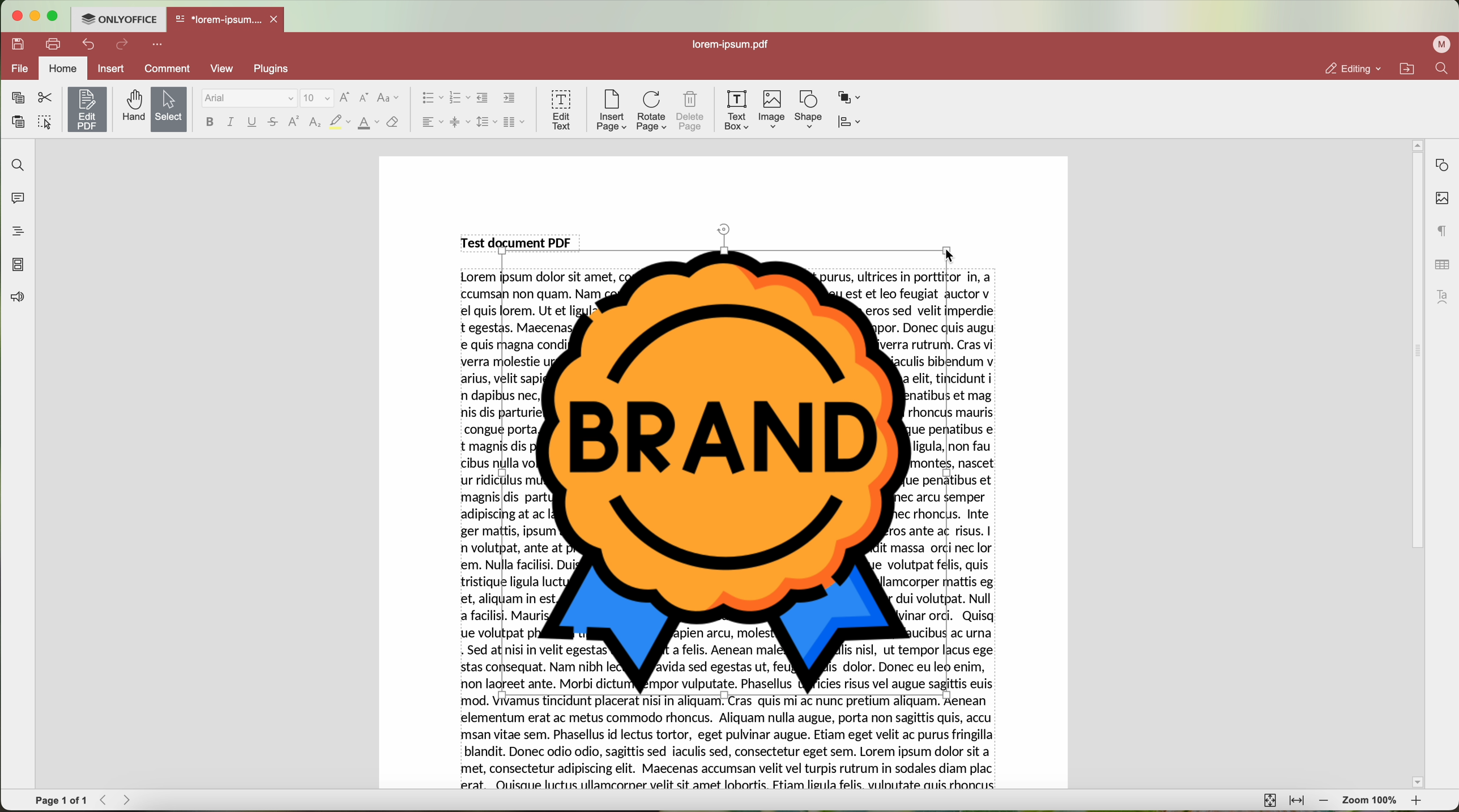 This screenshot has height=812, width=1459. I want to click on cut, so click(45, 98).